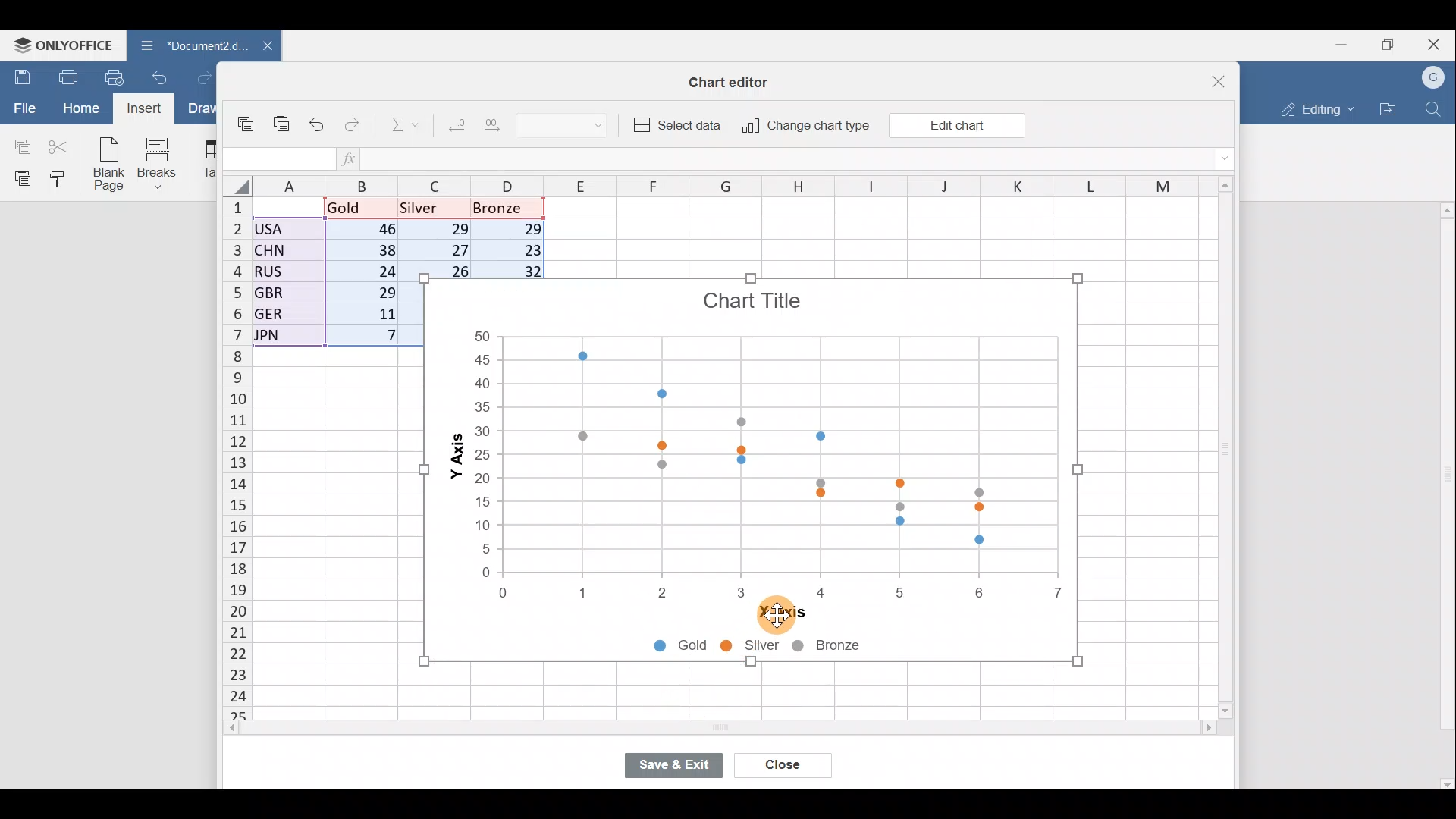 This screenshot has height=819, width=1456. I want to click on Blank page, so click(110, 167).